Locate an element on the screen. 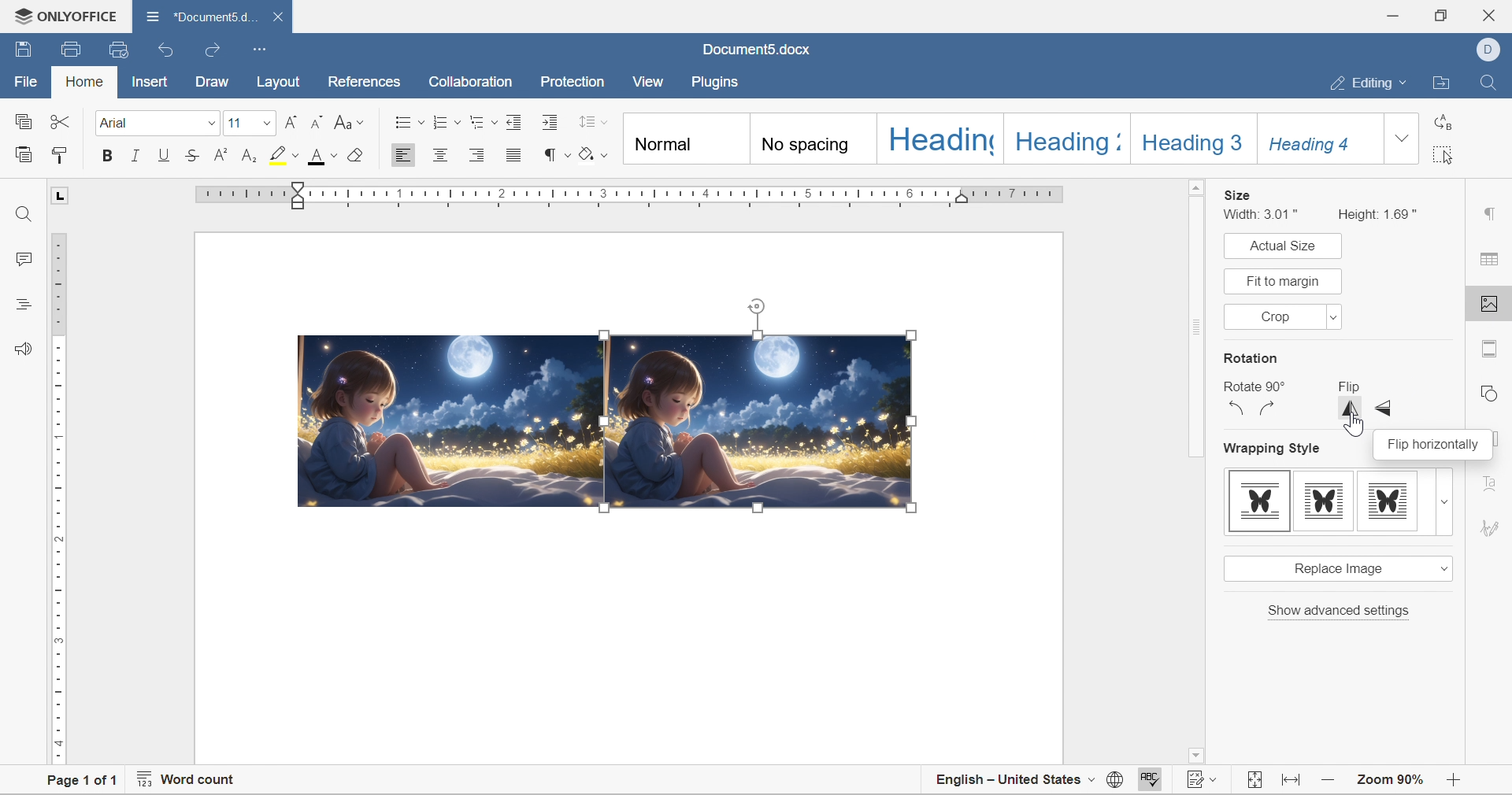 The image size is (1512, 795). italic is located at coordinates (135, 154).